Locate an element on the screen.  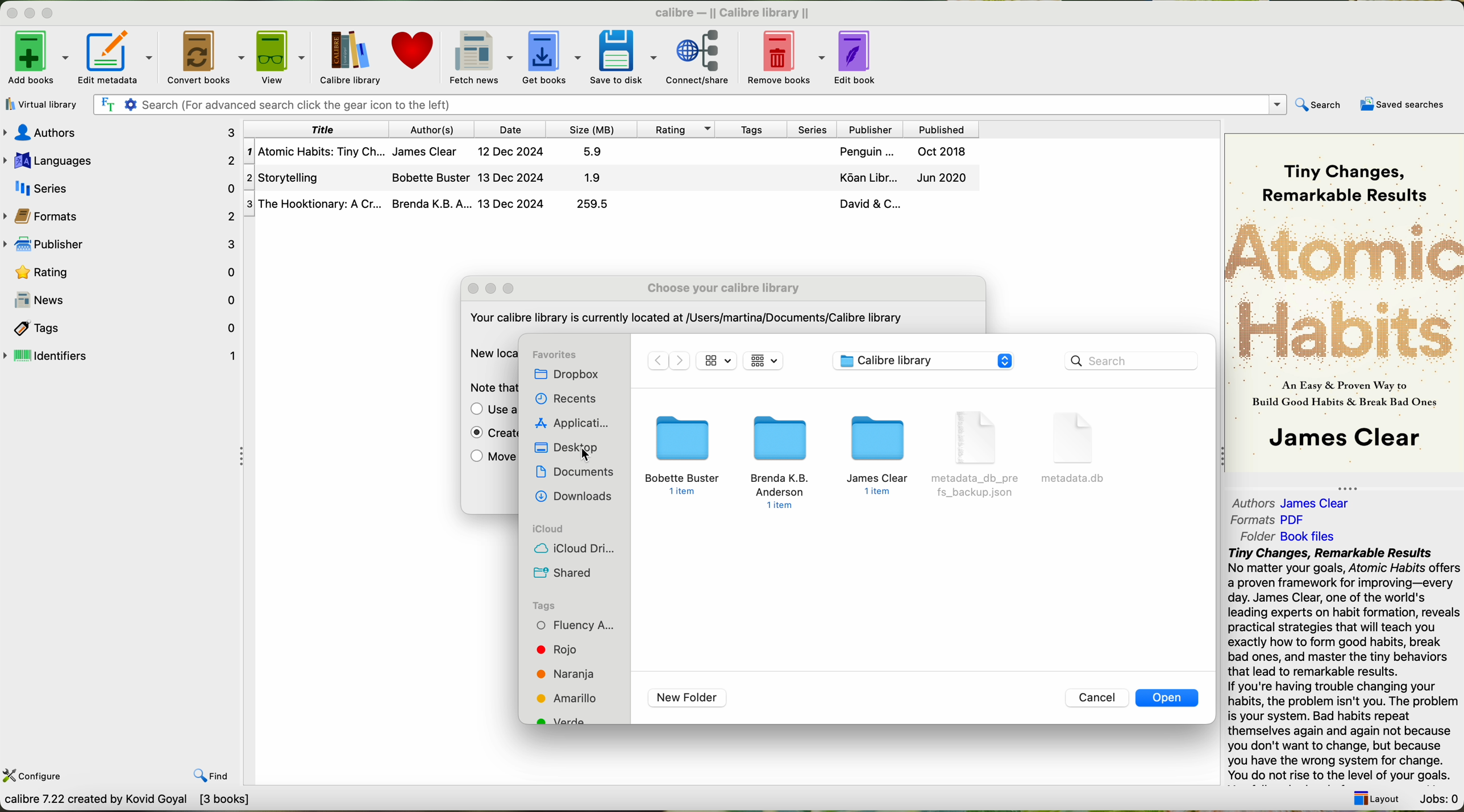
new location is located at coordinates (490, 353).